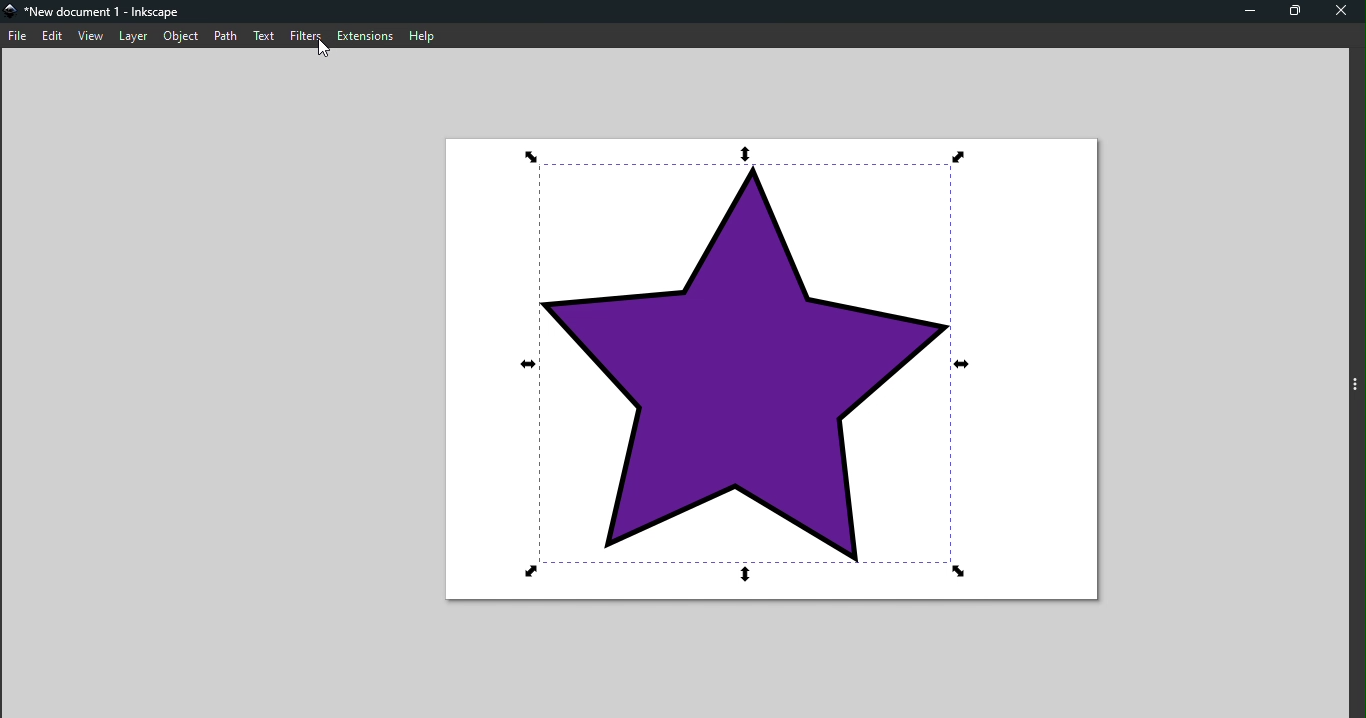  I want to click on Maximize, so click(1301, 10).